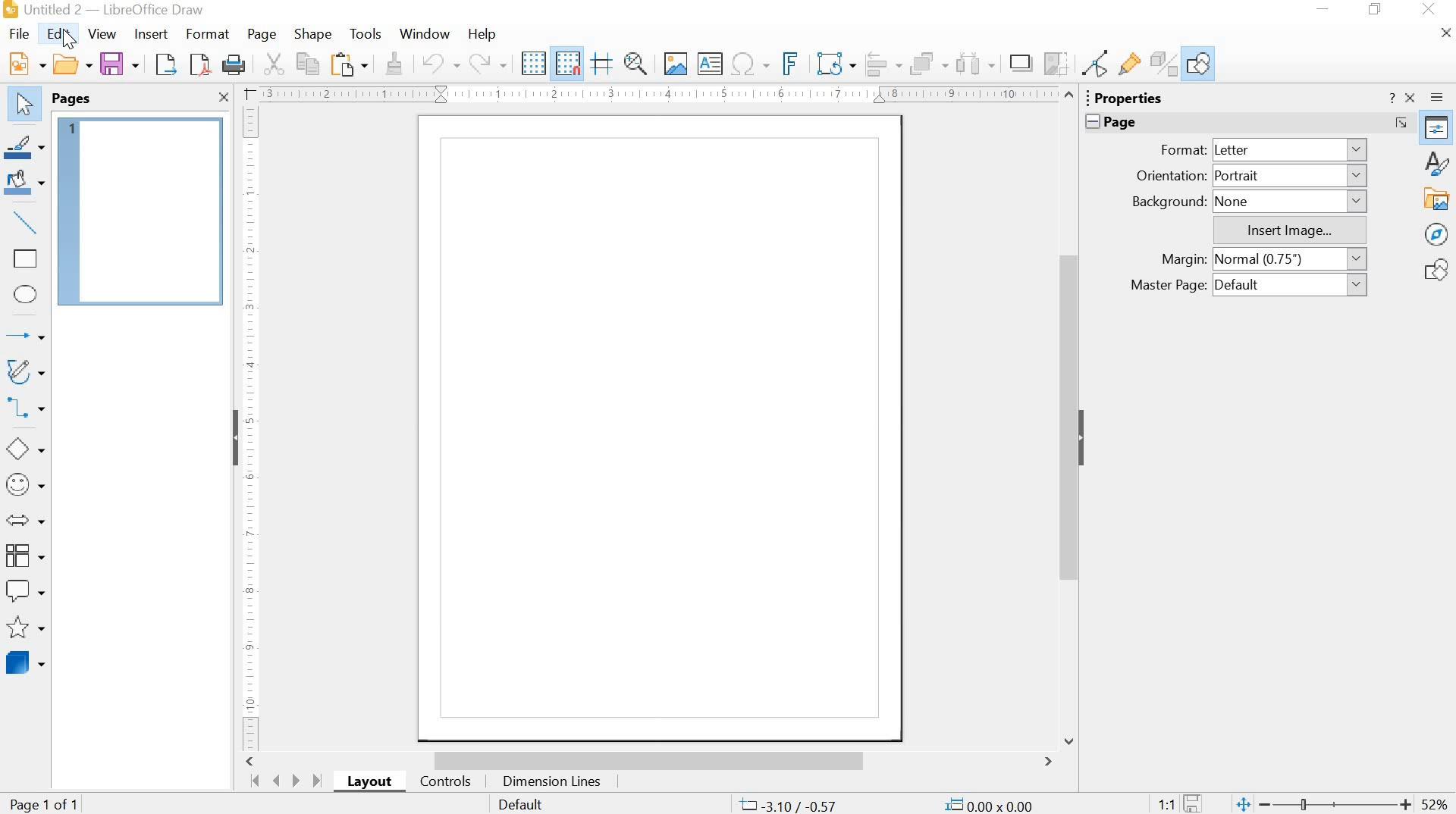  What do you see at coordinates (787, 62) in the screenshot?
I see `Insert Frontwork Text` at bounding box center [787, 62].